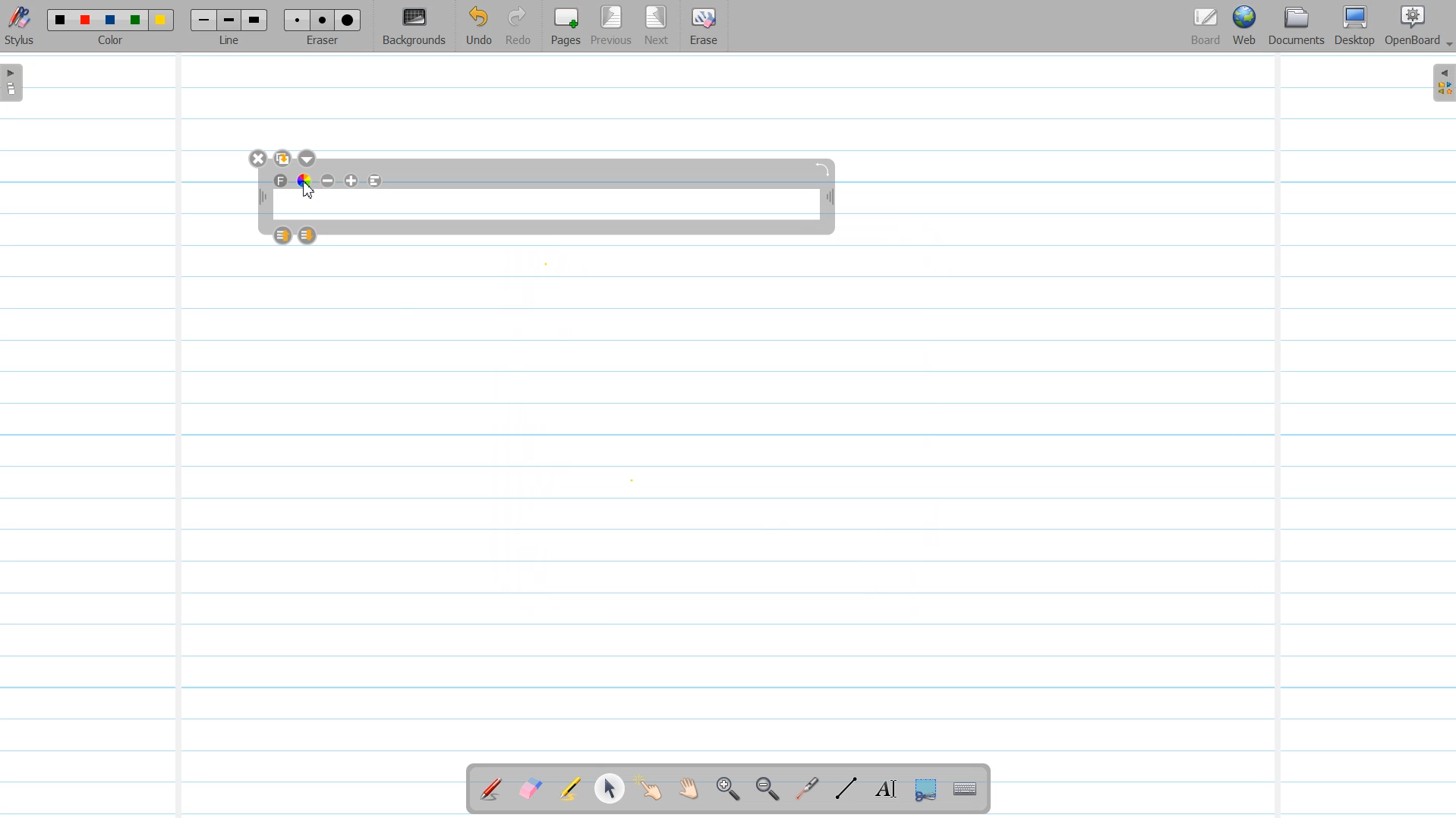  Describe the element at coordinates (613, 27) in the screenshot. I see `Previous` at that location.